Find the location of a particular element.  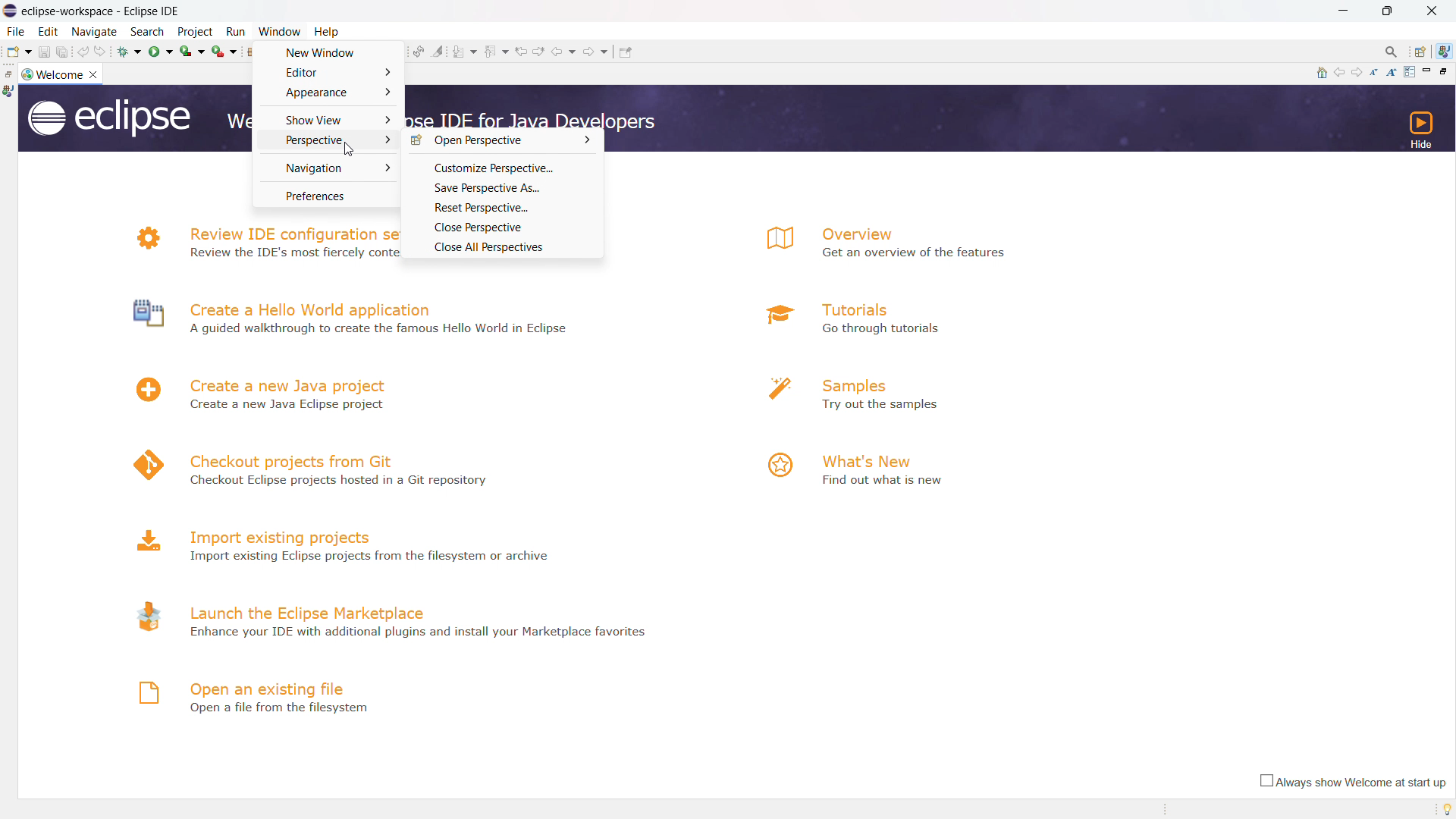

maximize is located at coordinates (1389, 11).